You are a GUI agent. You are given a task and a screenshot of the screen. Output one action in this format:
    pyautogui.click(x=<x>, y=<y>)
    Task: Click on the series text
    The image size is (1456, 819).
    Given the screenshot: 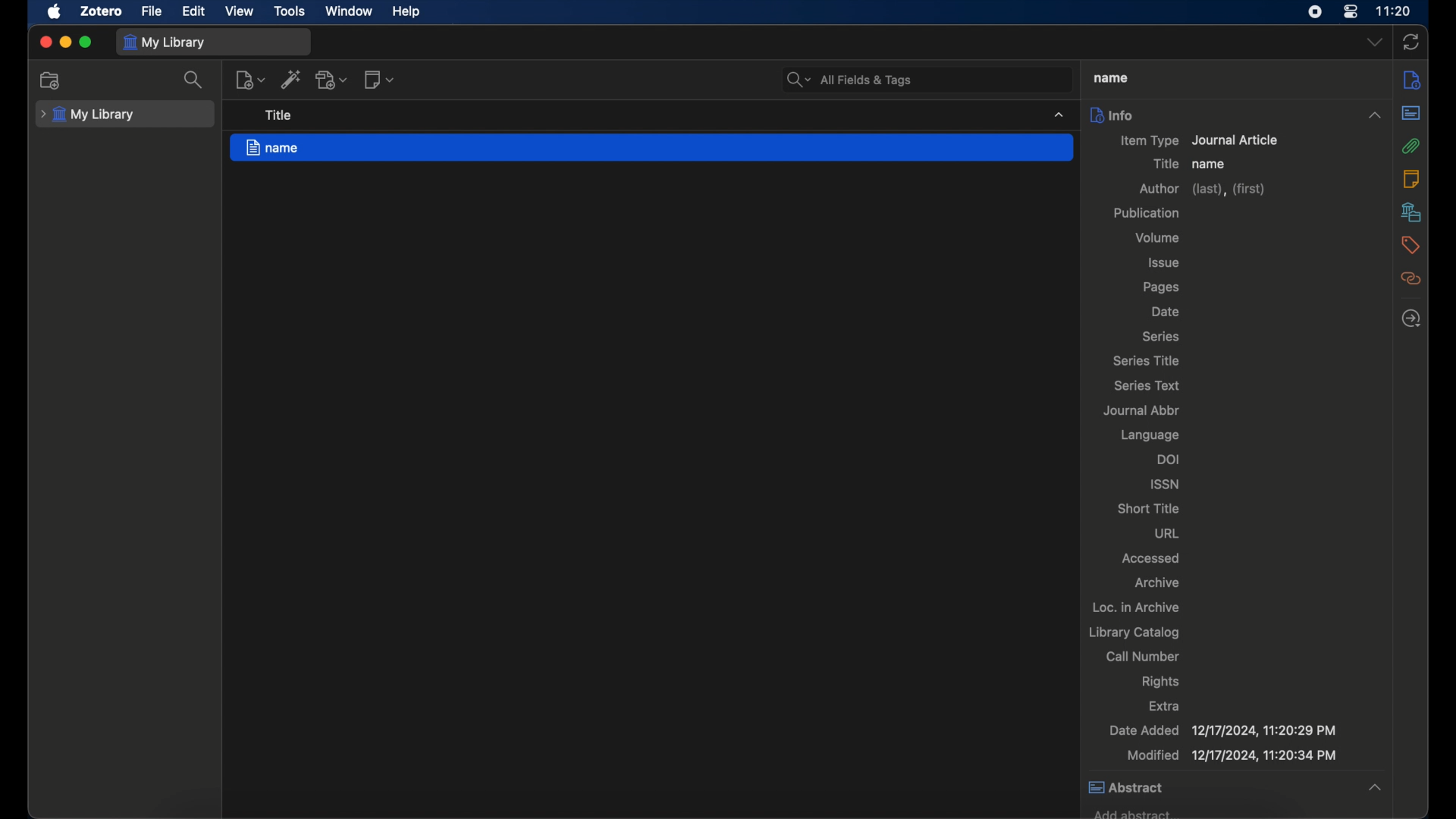 What is the action you would take?
    pyautogui.click(x=1147, y=386)
    